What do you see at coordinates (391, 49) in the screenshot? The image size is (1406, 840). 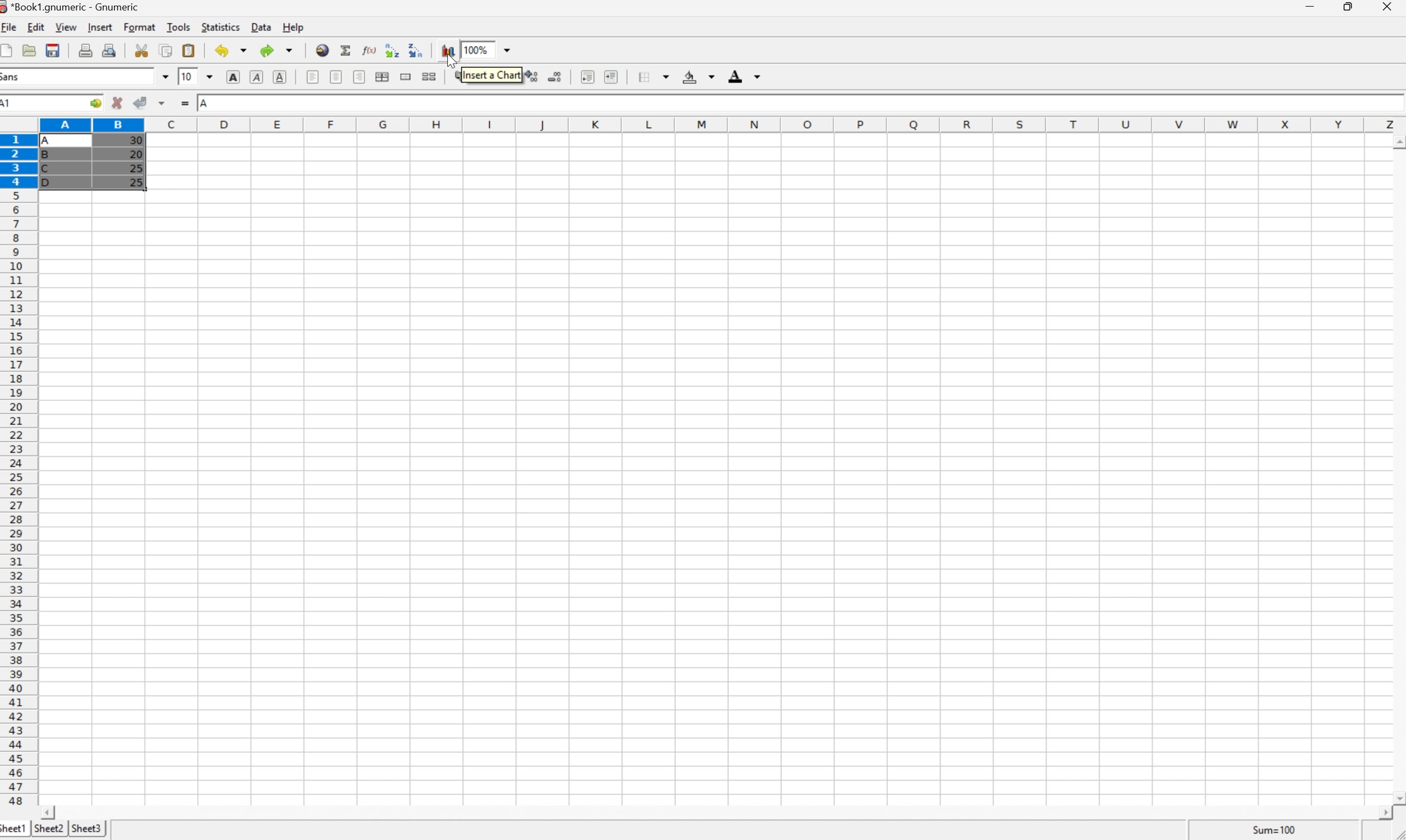 I see `Sort the selected region in descending order based on the first column selected` at bounding box center [391, 49].